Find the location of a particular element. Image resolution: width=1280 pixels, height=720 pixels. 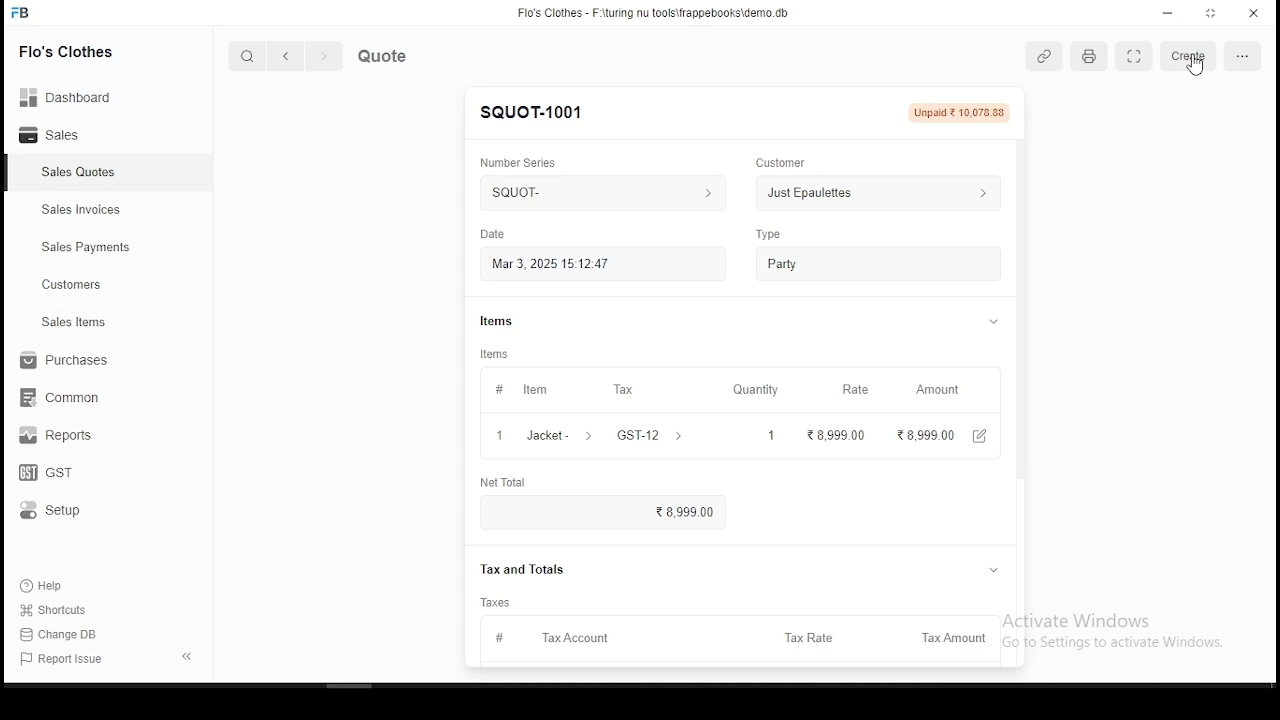

back is located at coordinates (283, 55).